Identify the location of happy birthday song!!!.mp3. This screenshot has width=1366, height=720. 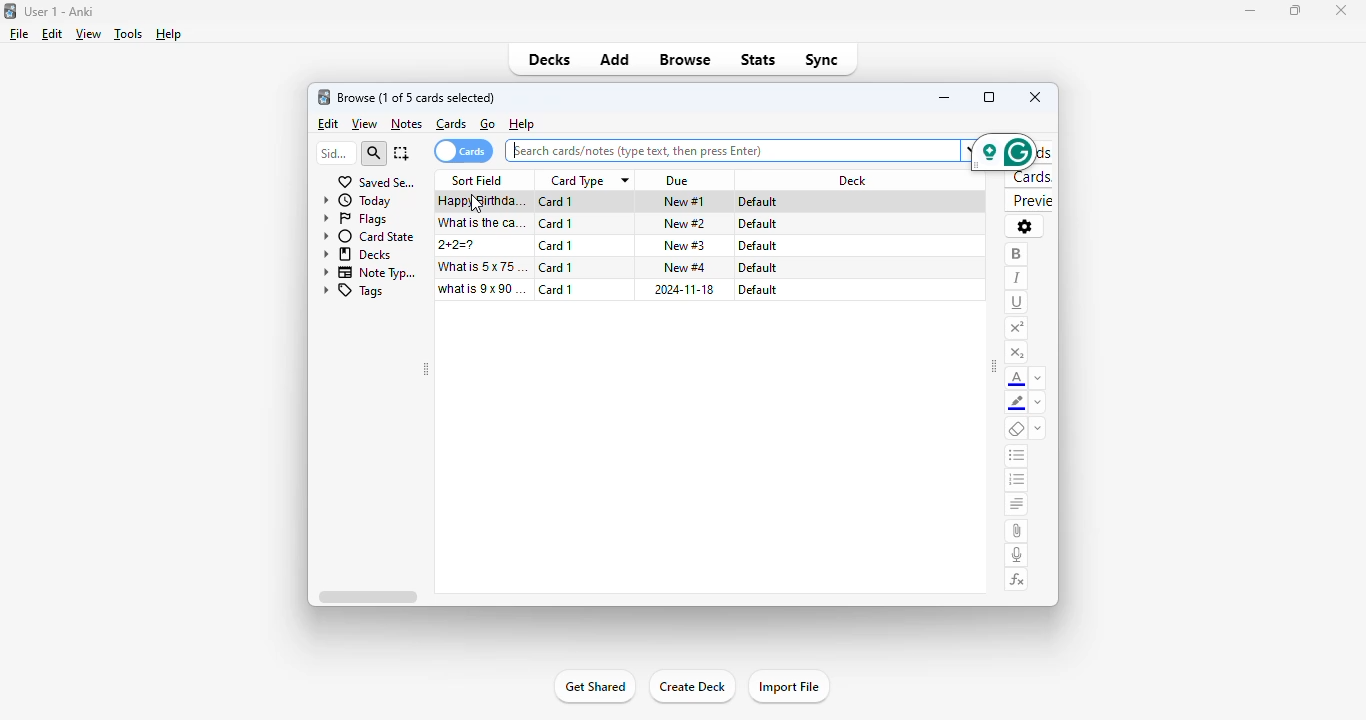
(483, 202).